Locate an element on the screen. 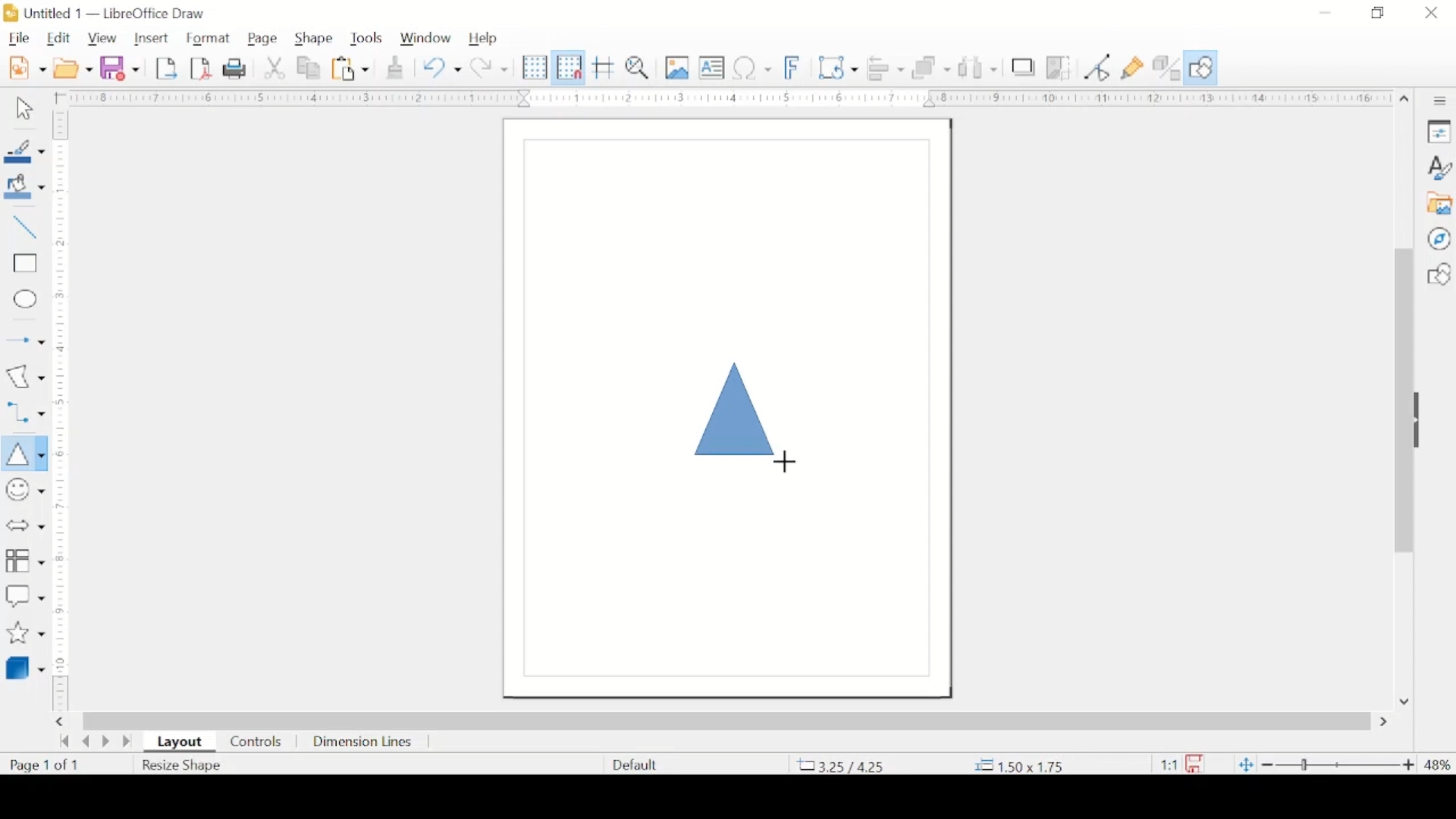  crop image is located at coordinates (1062, 68).